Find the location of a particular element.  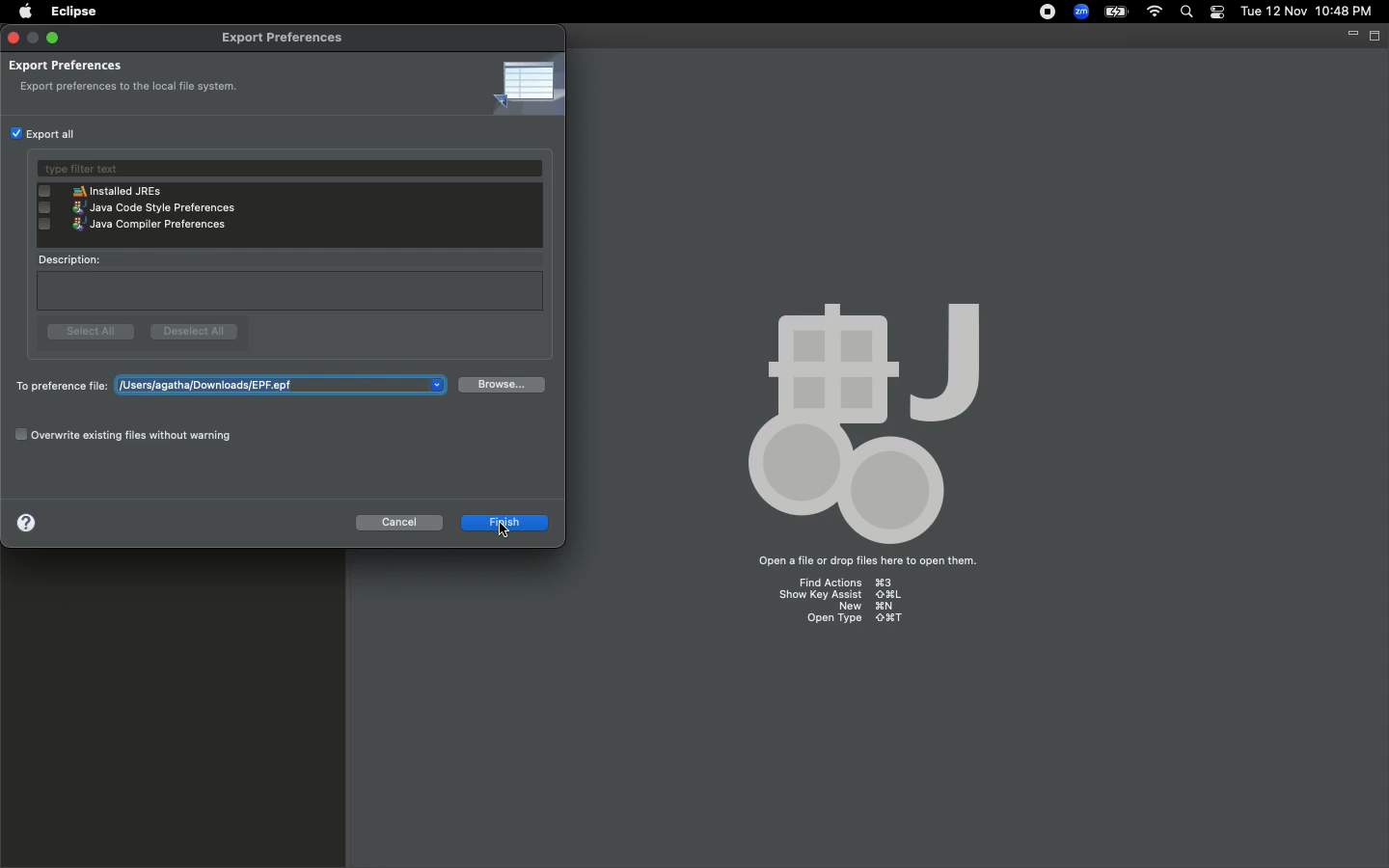

Help is located at coordinates (31, 523).